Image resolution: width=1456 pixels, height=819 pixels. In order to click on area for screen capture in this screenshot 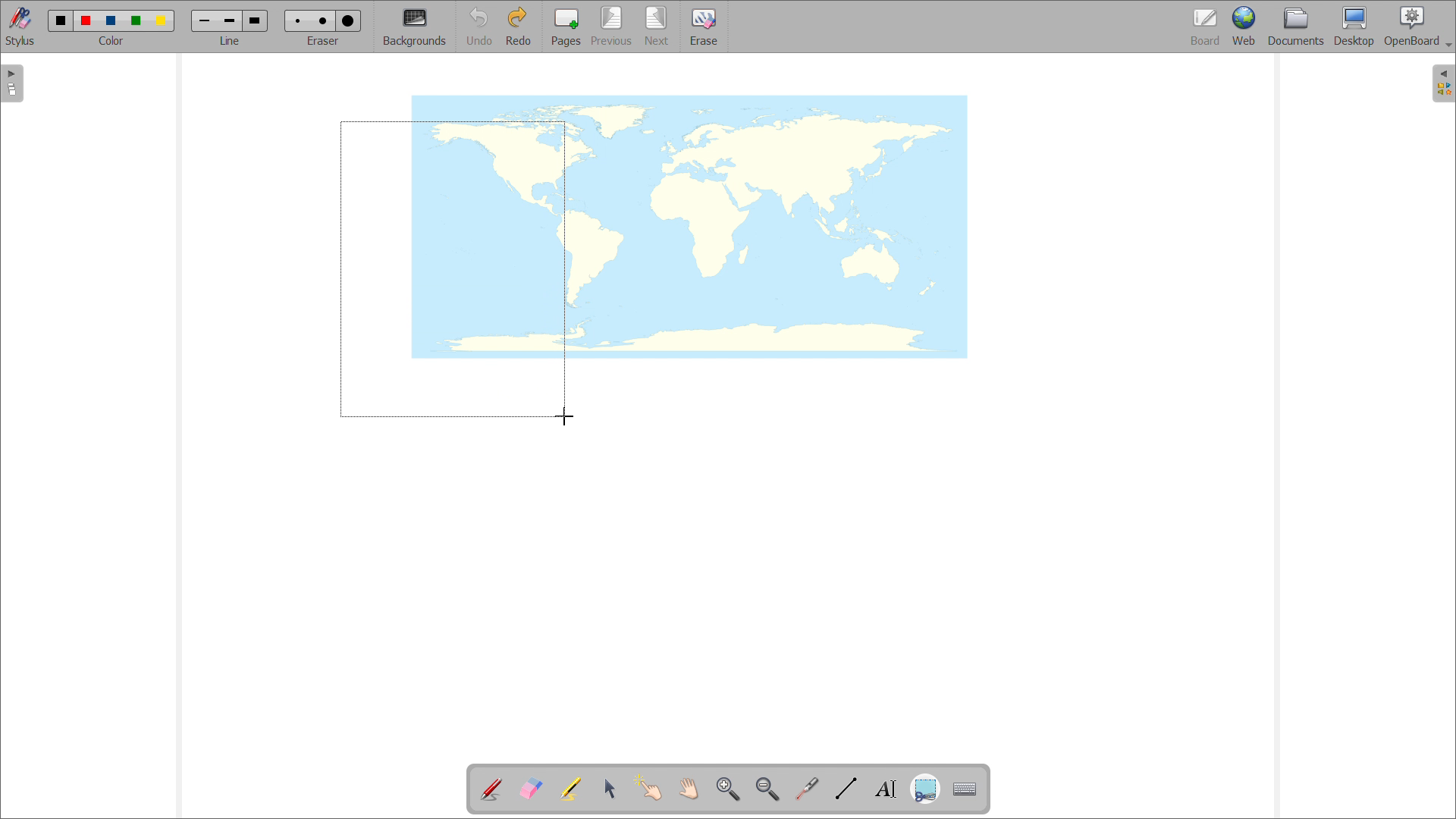, I will do `click(453, 268)`.